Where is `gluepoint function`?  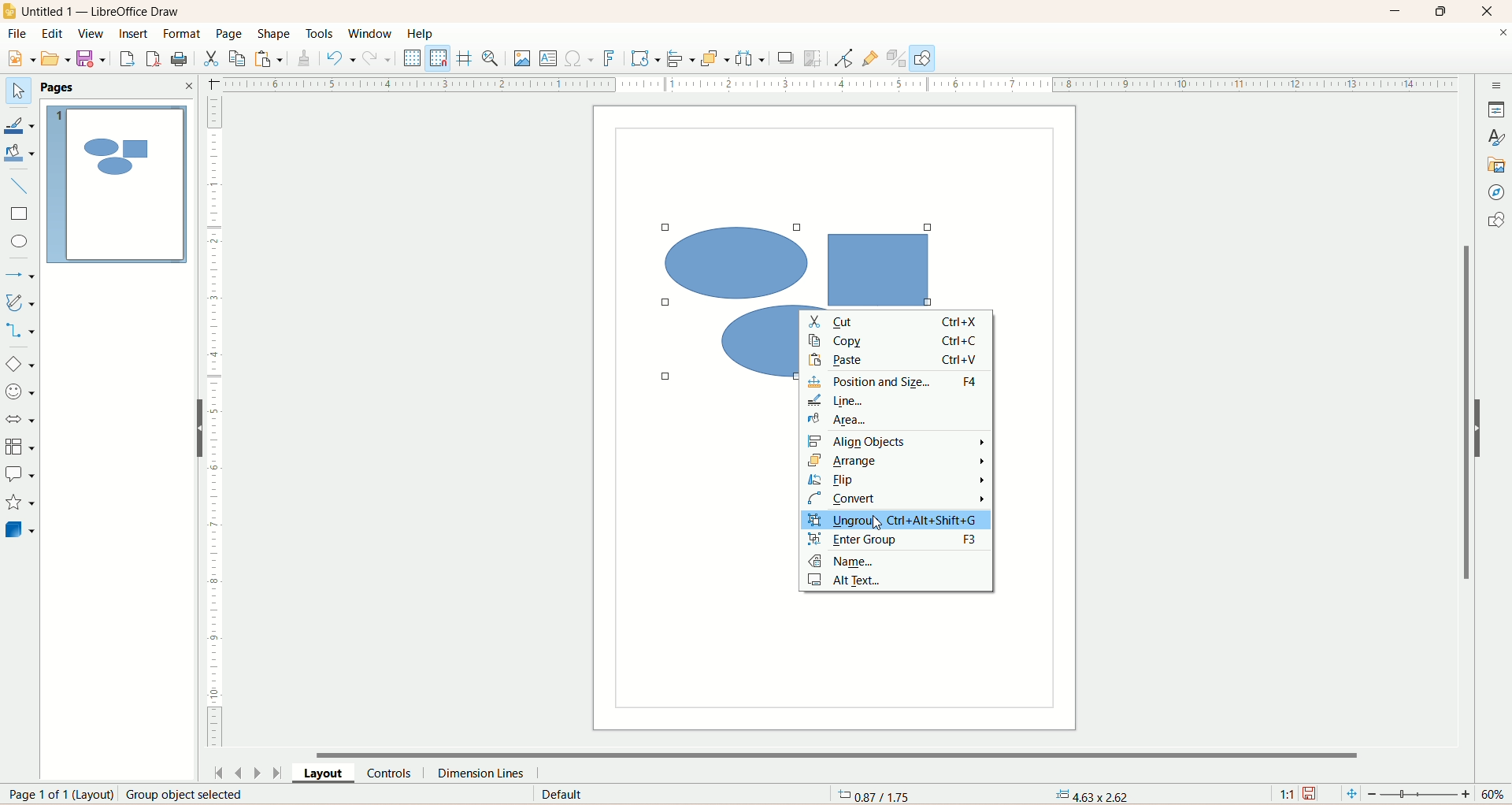
gluepoint function is located at coordinates (869, 59).